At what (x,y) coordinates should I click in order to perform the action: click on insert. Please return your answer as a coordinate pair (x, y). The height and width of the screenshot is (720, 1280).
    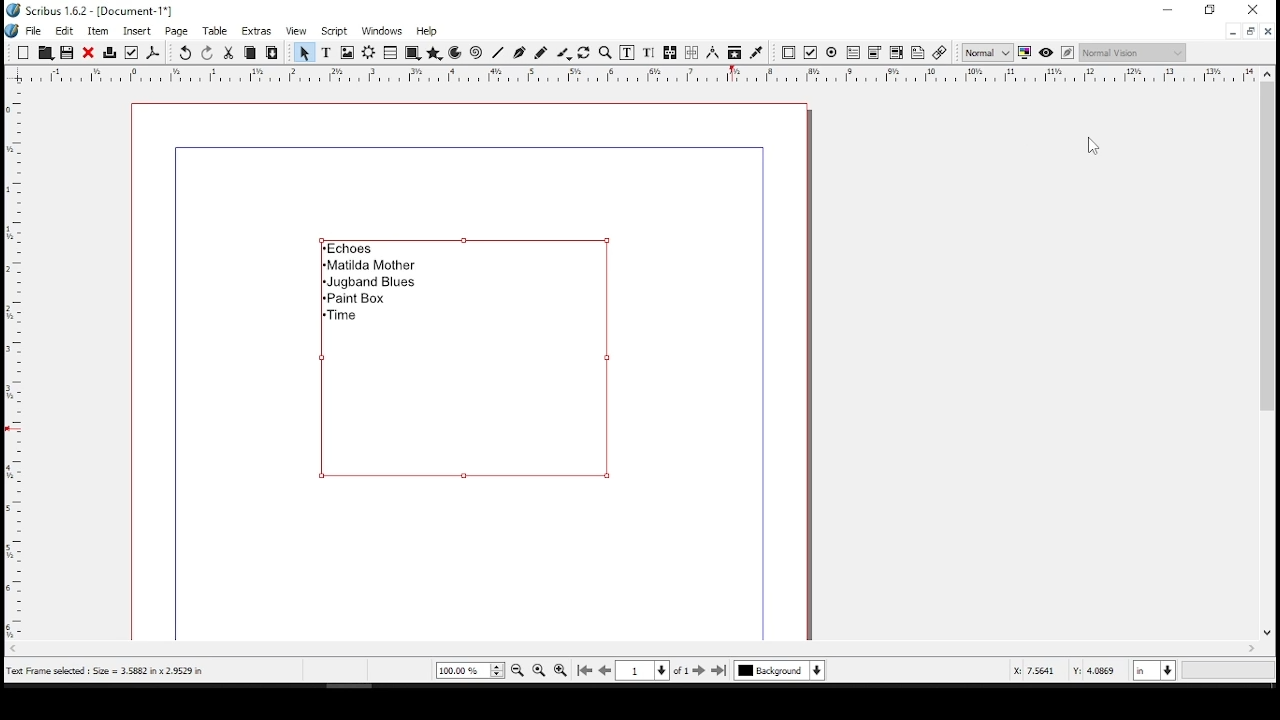
    Looking at the image, I should click on (138, 30).